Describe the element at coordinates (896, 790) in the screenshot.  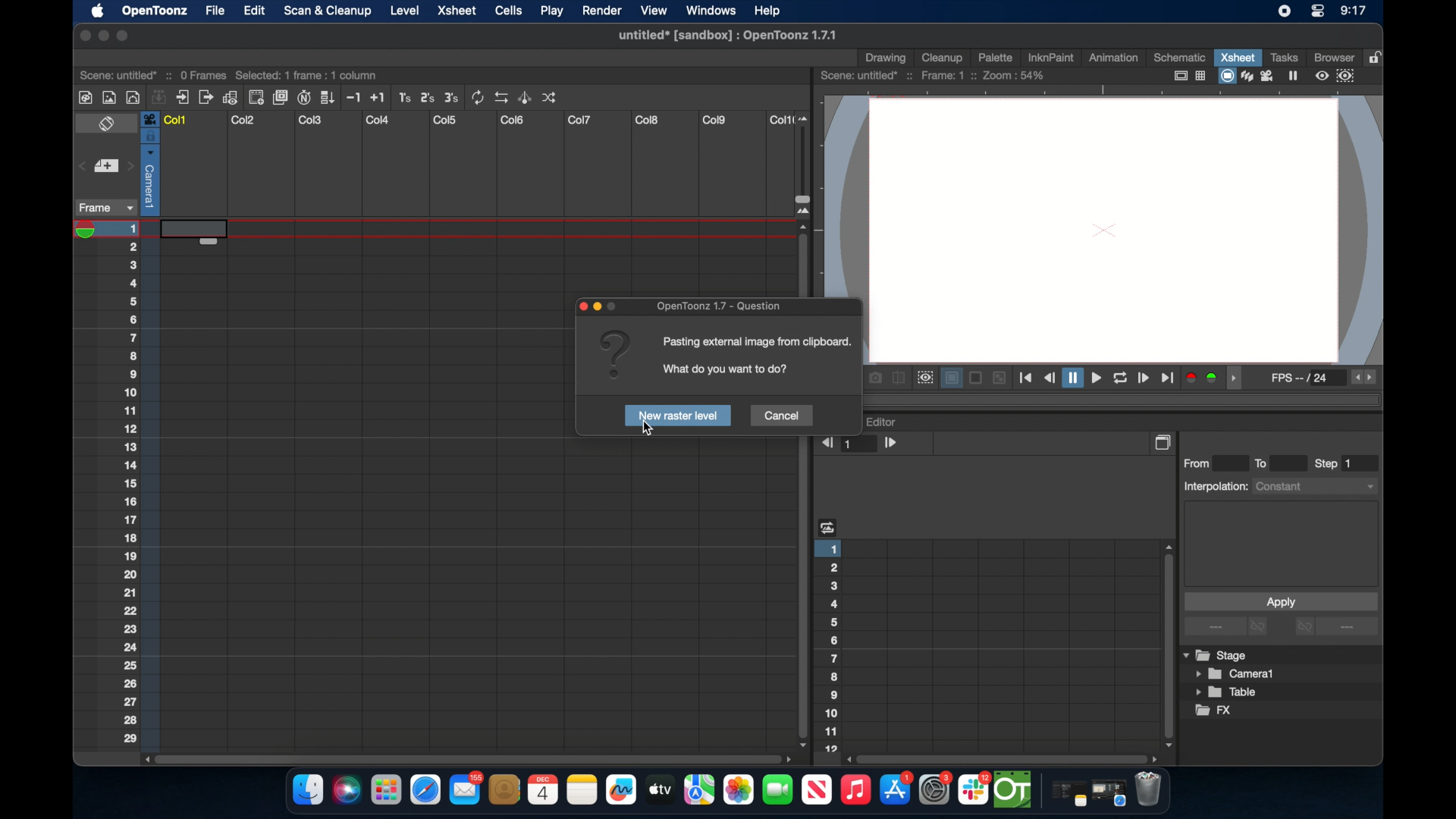
I see `appstore` at that location.